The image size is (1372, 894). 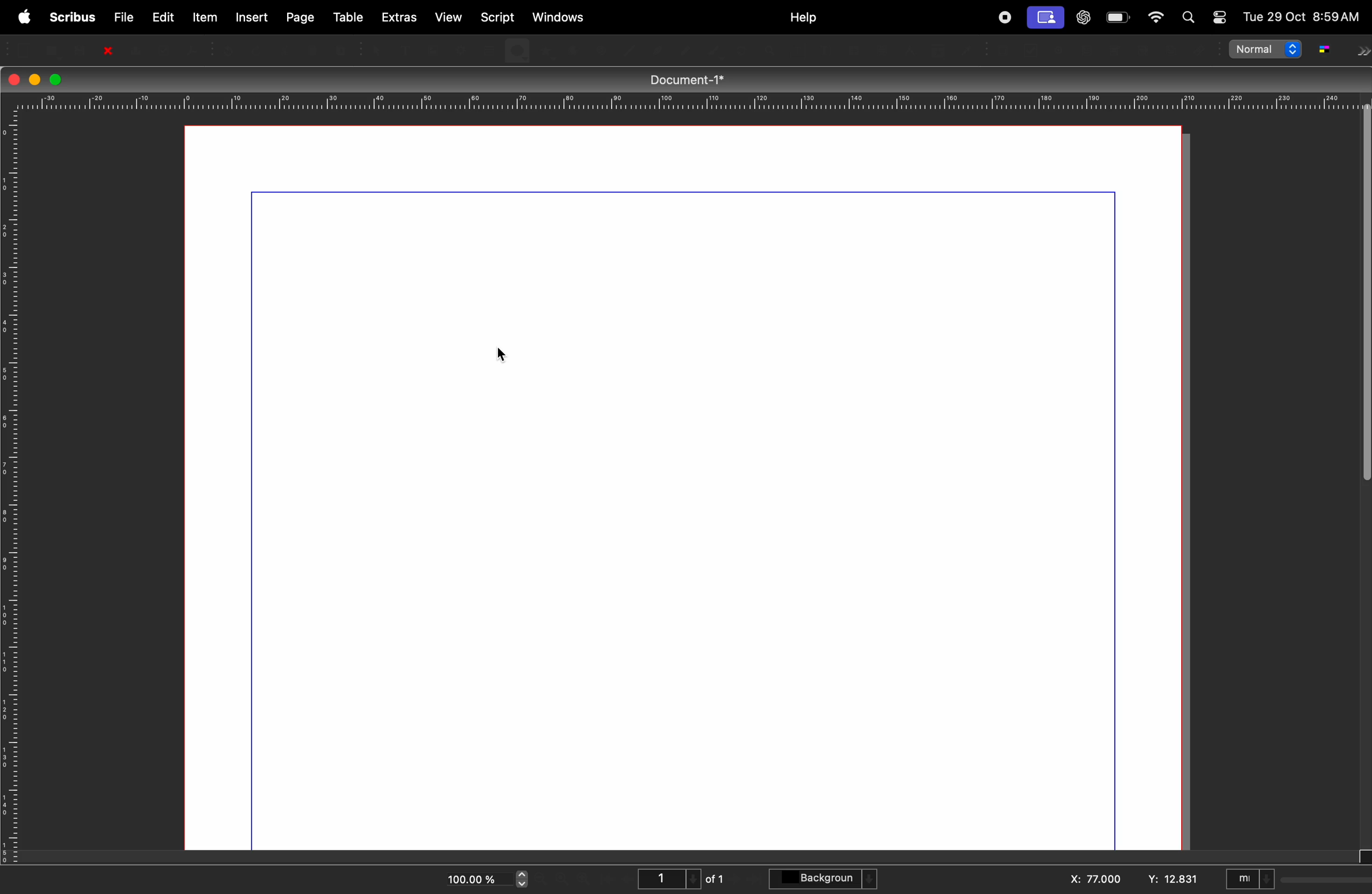 I want to click on PDF radio button, so click(x=1062, y=50).